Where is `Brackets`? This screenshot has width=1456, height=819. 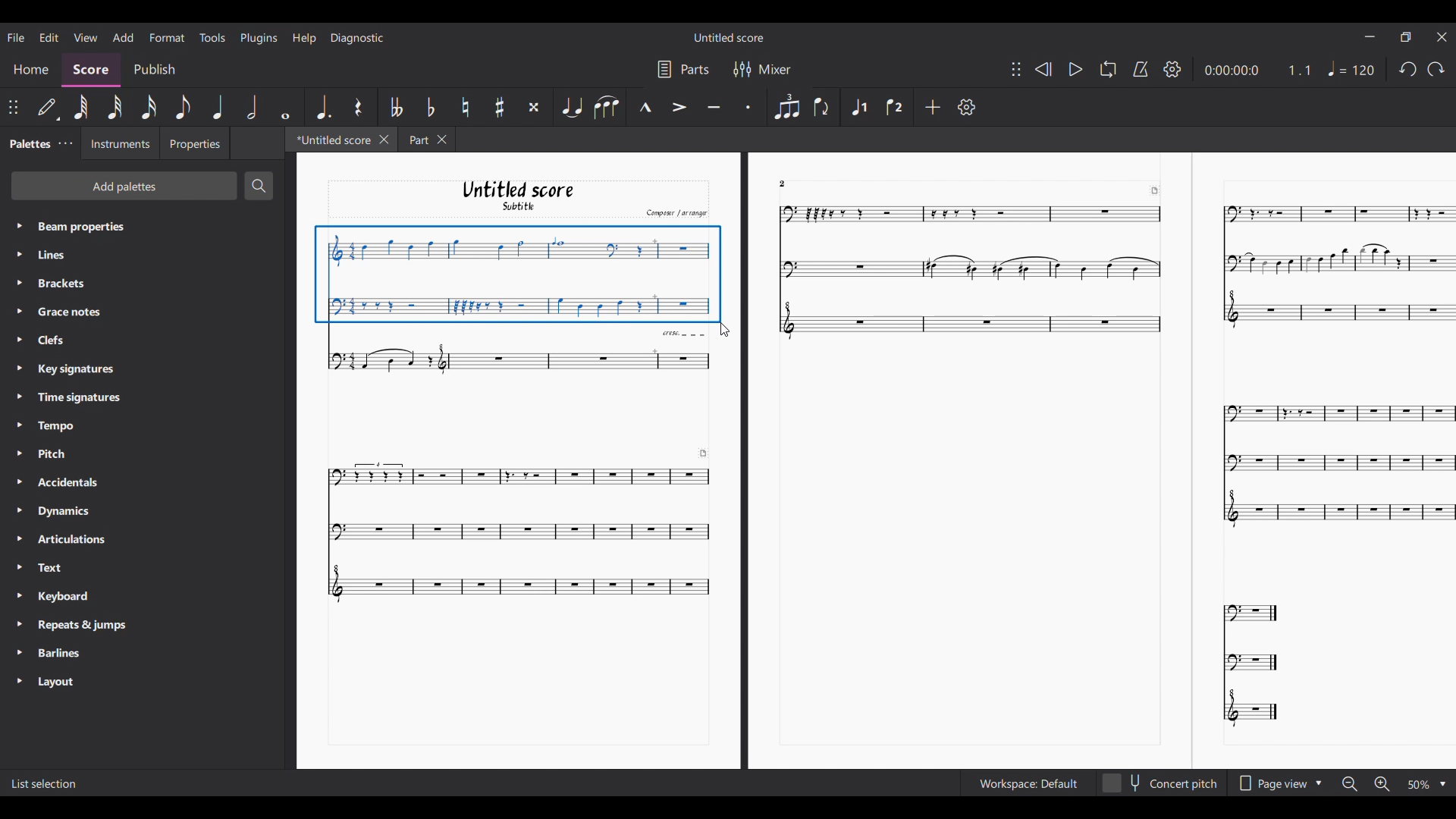 Brackets is located at coordinates (71, 284).